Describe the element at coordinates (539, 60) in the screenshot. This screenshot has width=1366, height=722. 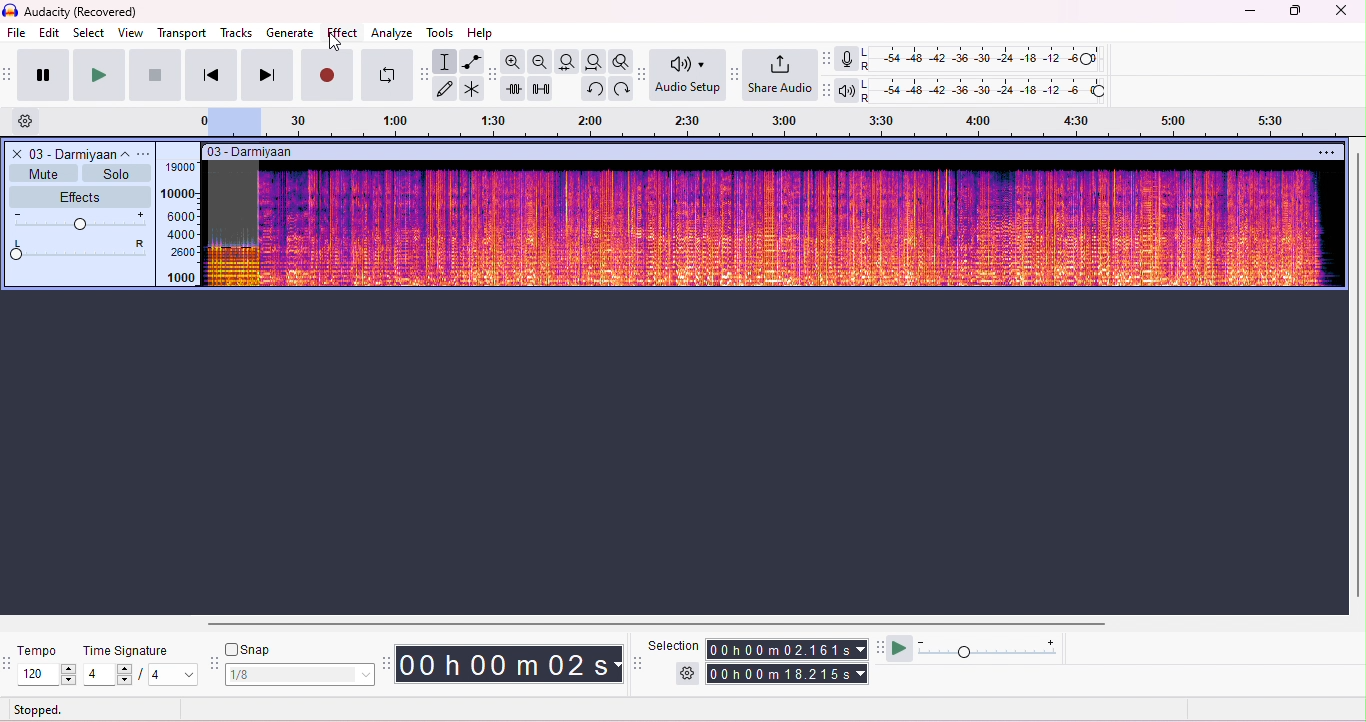
I see `zoom out` at that location.